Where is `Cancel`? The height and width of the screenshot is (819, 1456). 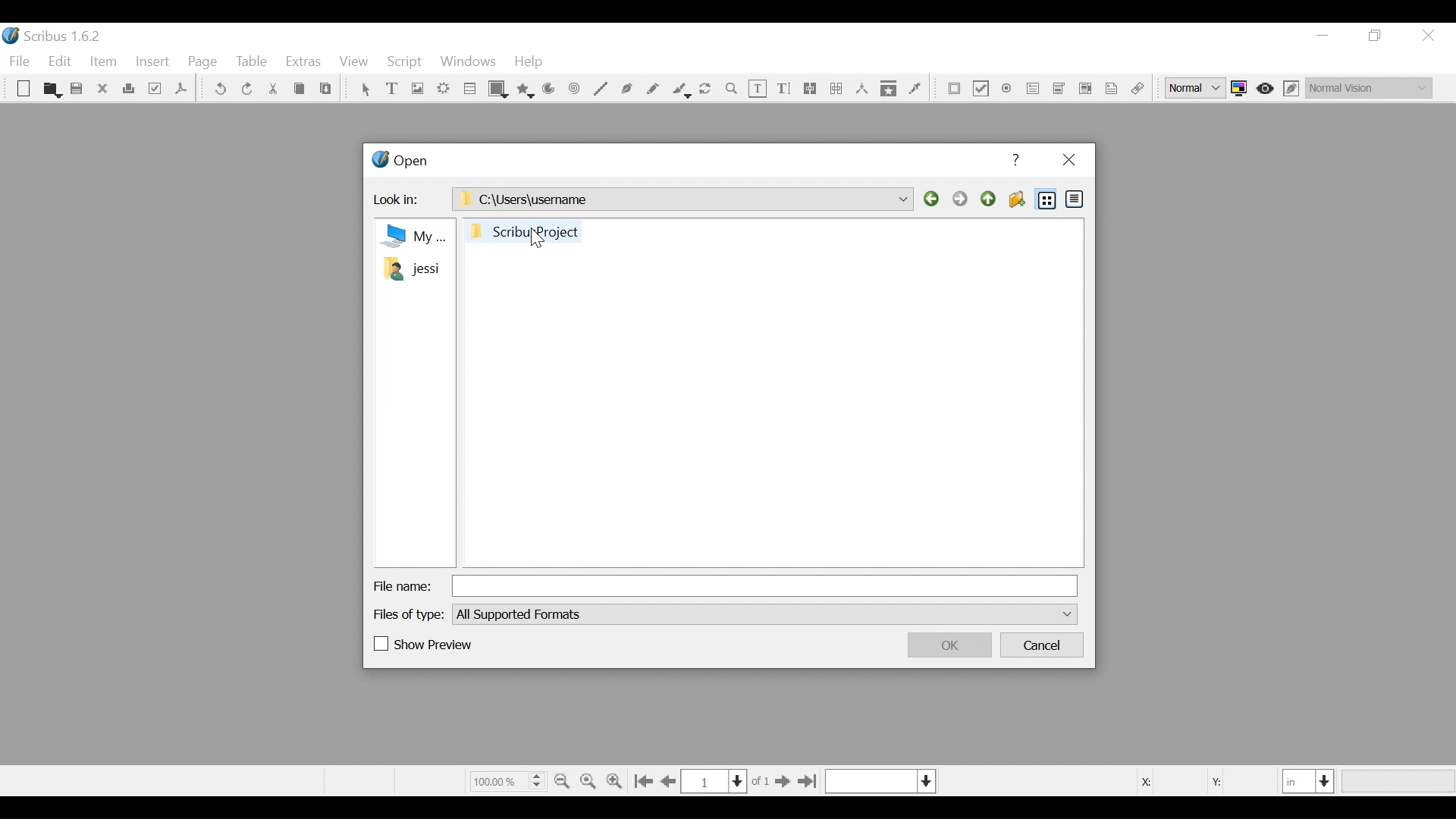 Cancel is located at coordinates (1043, 646).